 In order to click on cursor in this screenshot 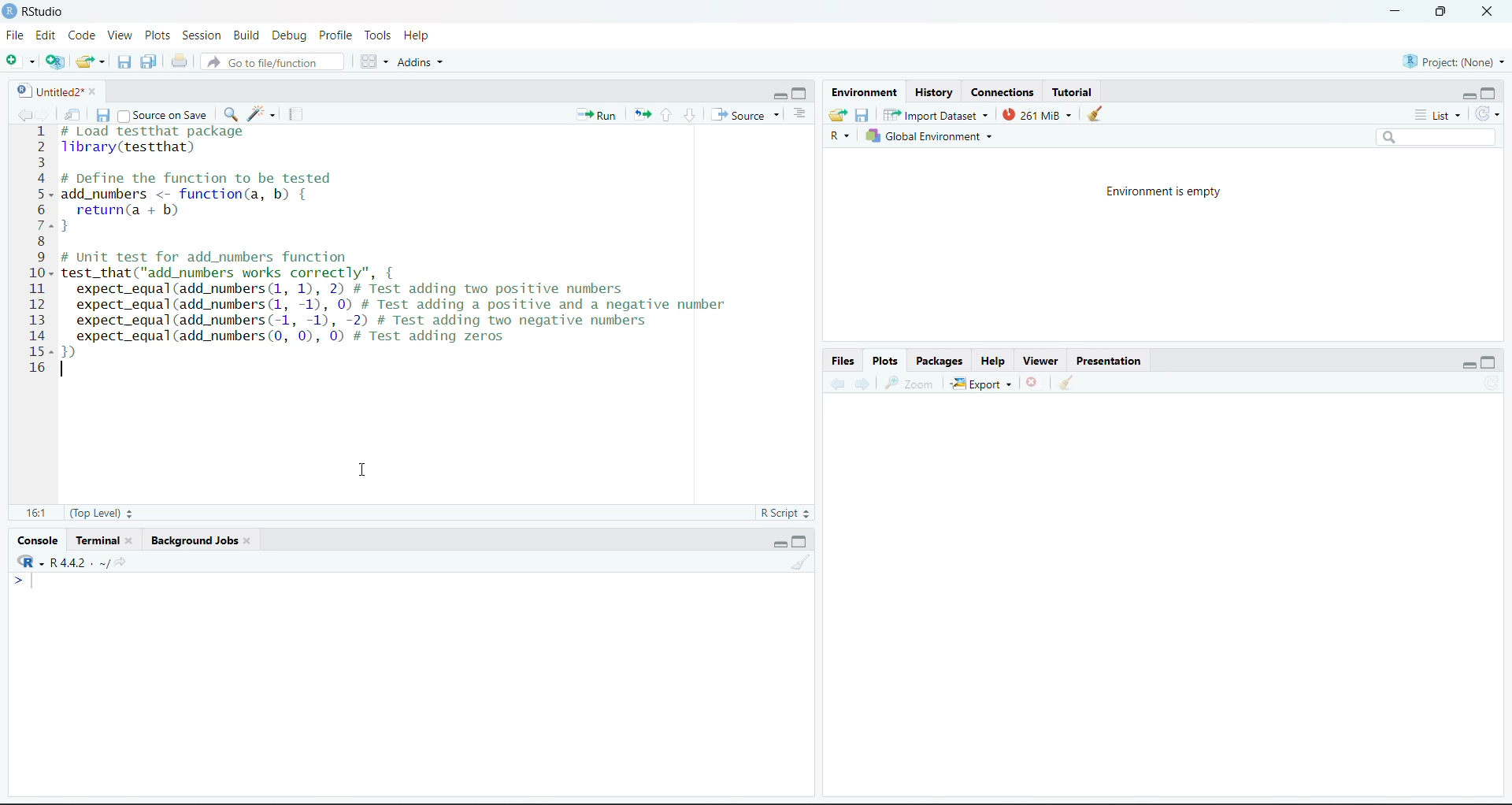, I will do `click(362, 469)`.